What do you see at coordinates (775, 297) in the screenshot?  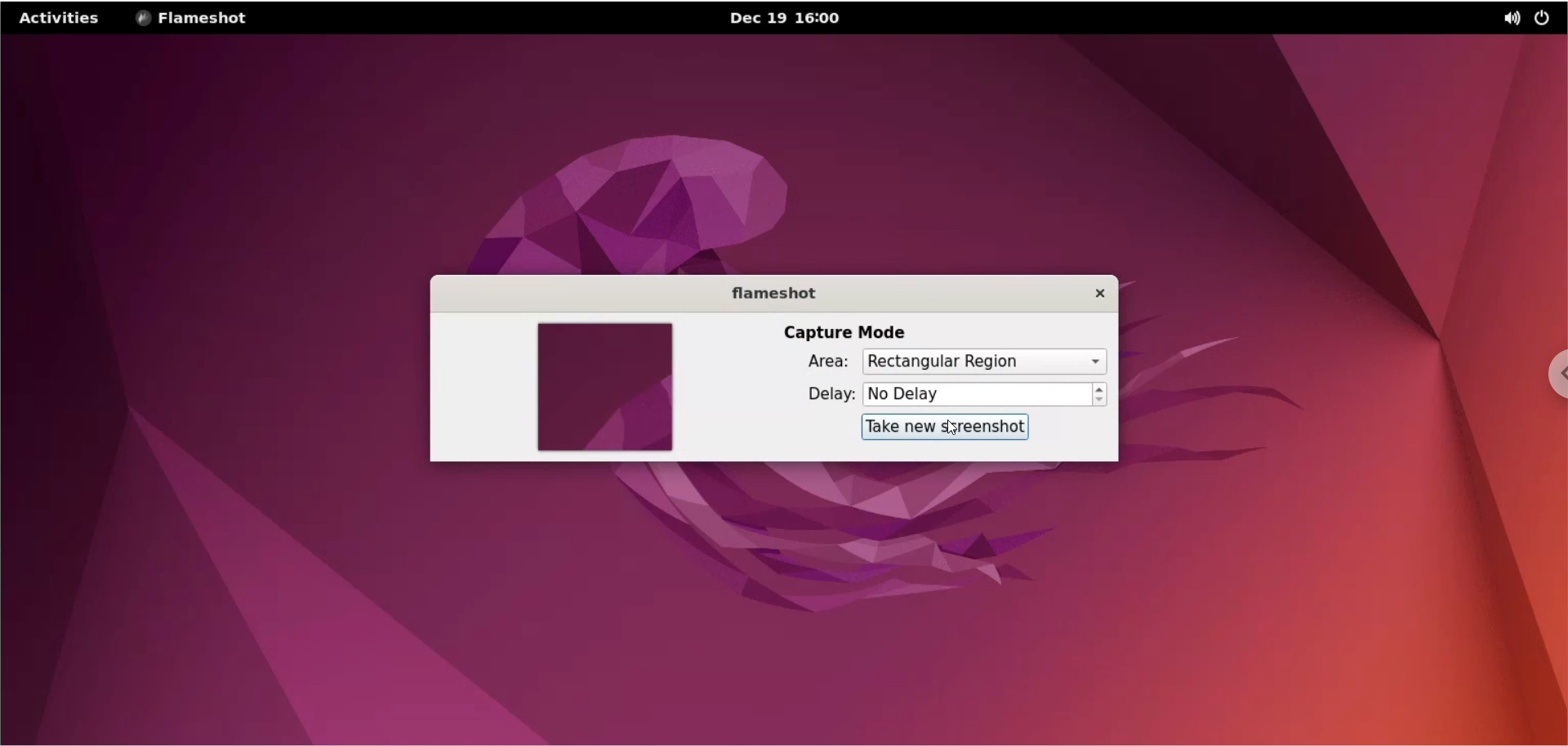 I see `flameshot label` at bounding box center [775, 297].